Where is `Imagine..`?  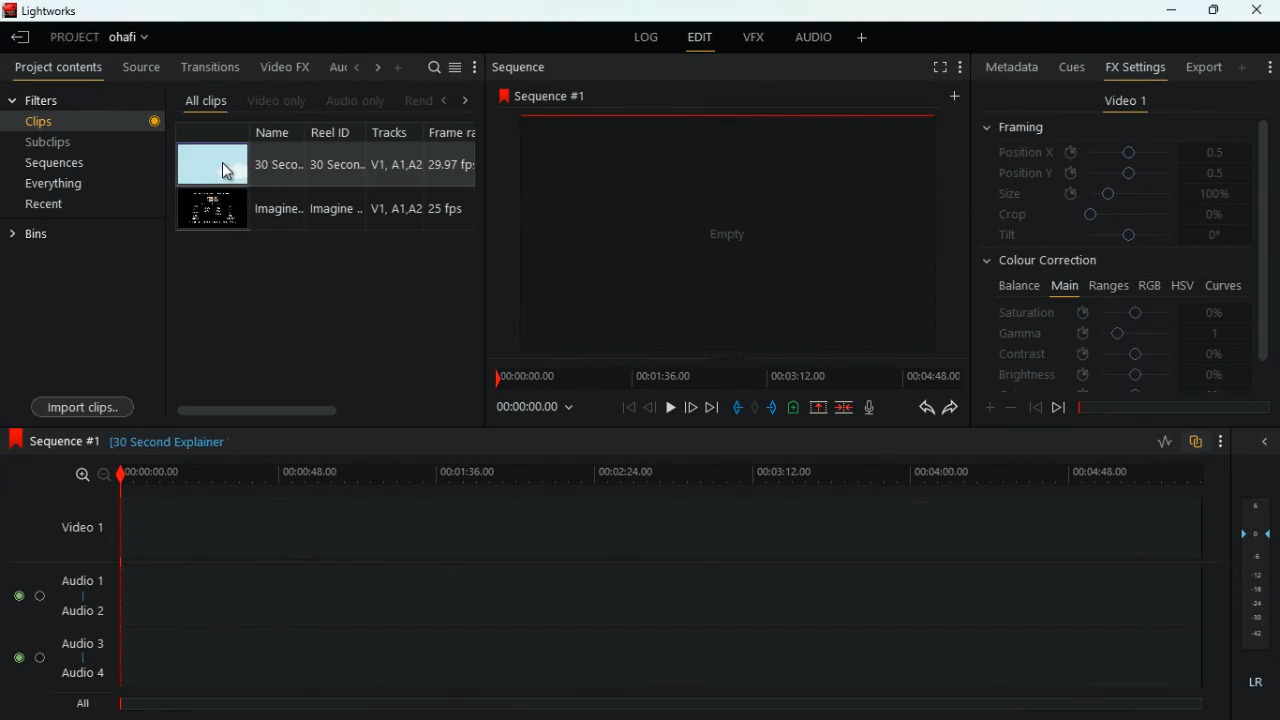
Imagine.. is located at coordinates (340, 212).